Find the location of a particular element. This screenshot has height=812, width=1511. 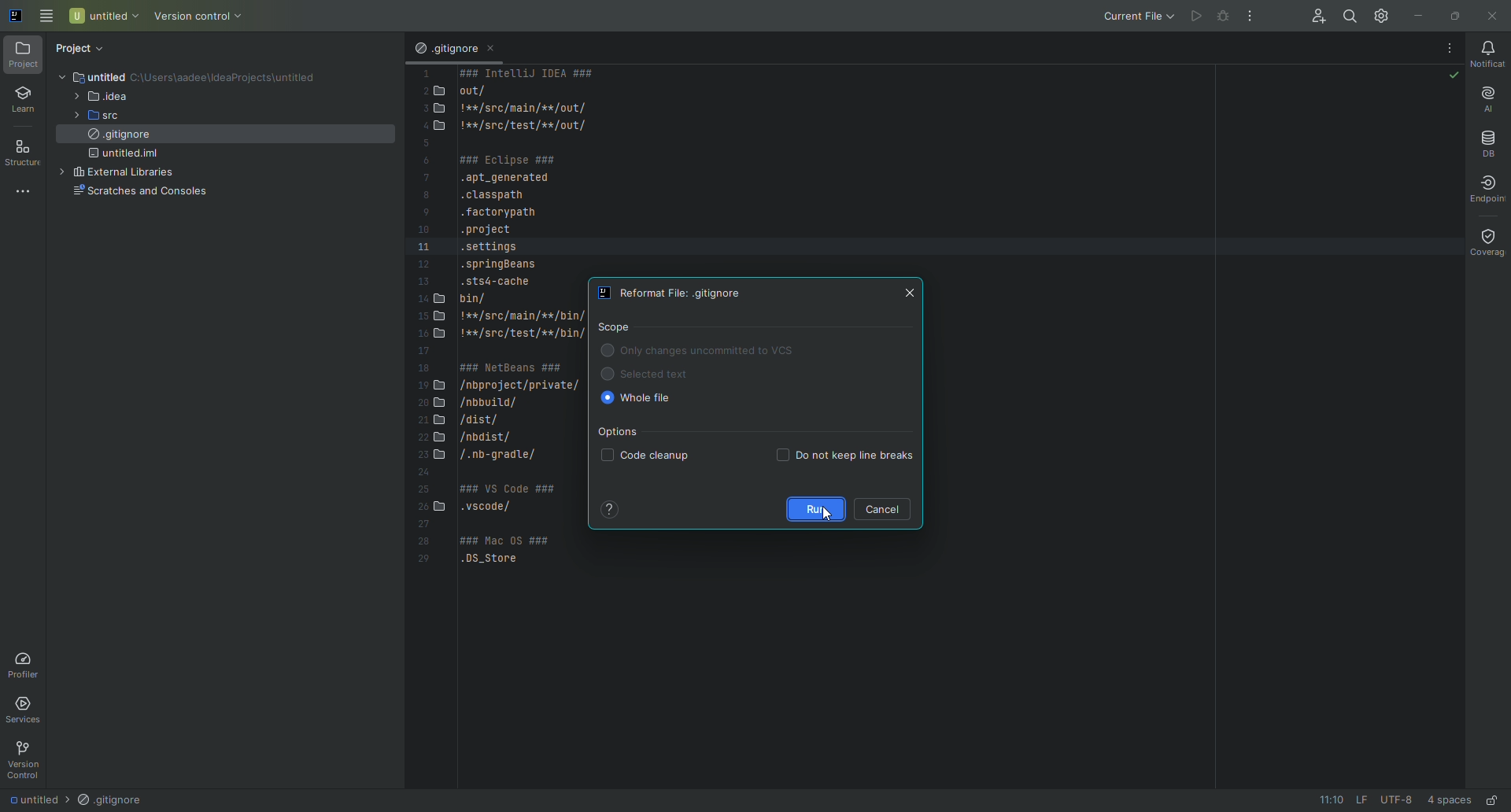

Learn is located at coordinates (24, 100).